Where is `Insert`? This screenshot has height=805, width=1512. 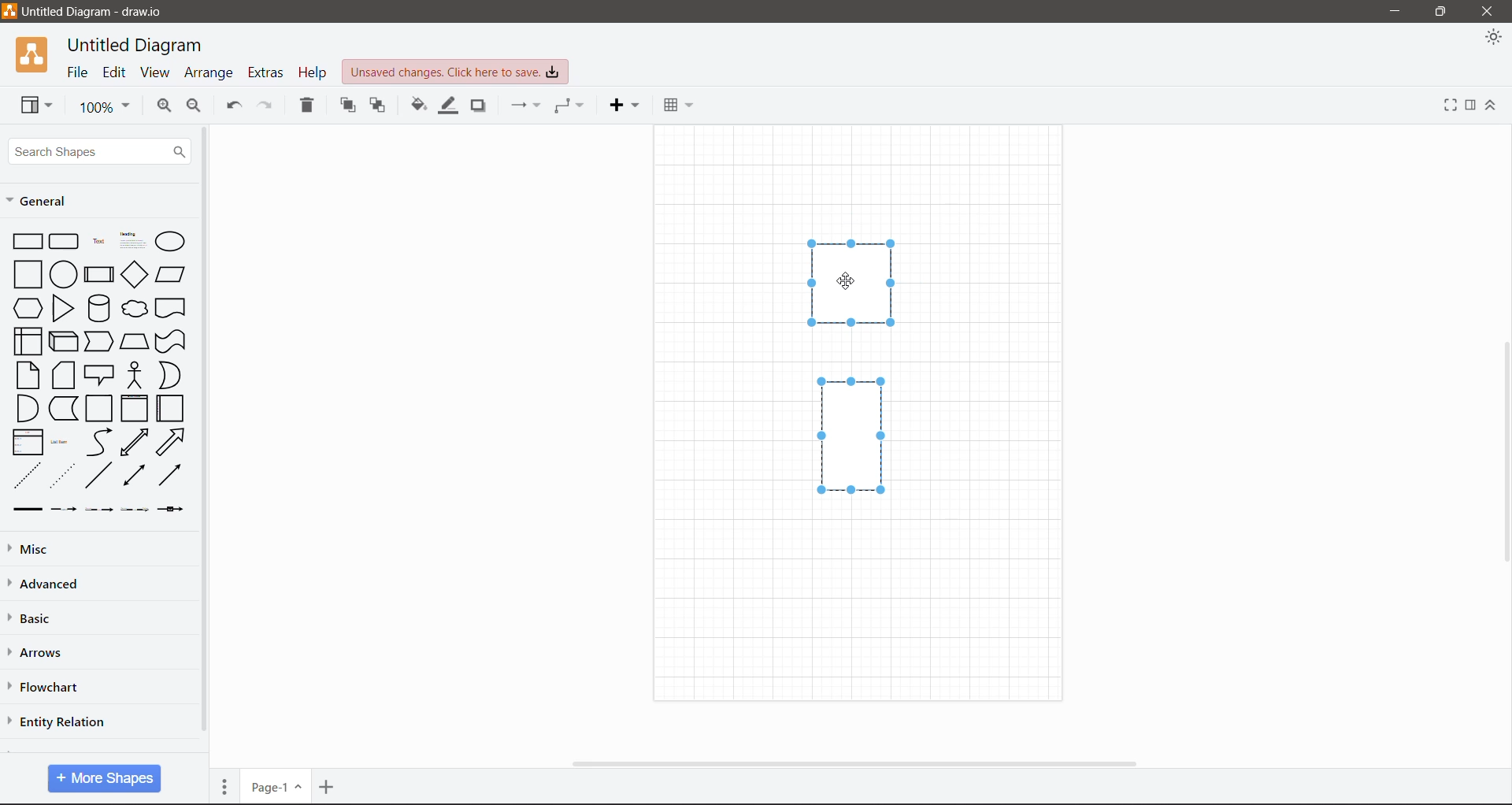
Insert is located at coordinates (624, 106).